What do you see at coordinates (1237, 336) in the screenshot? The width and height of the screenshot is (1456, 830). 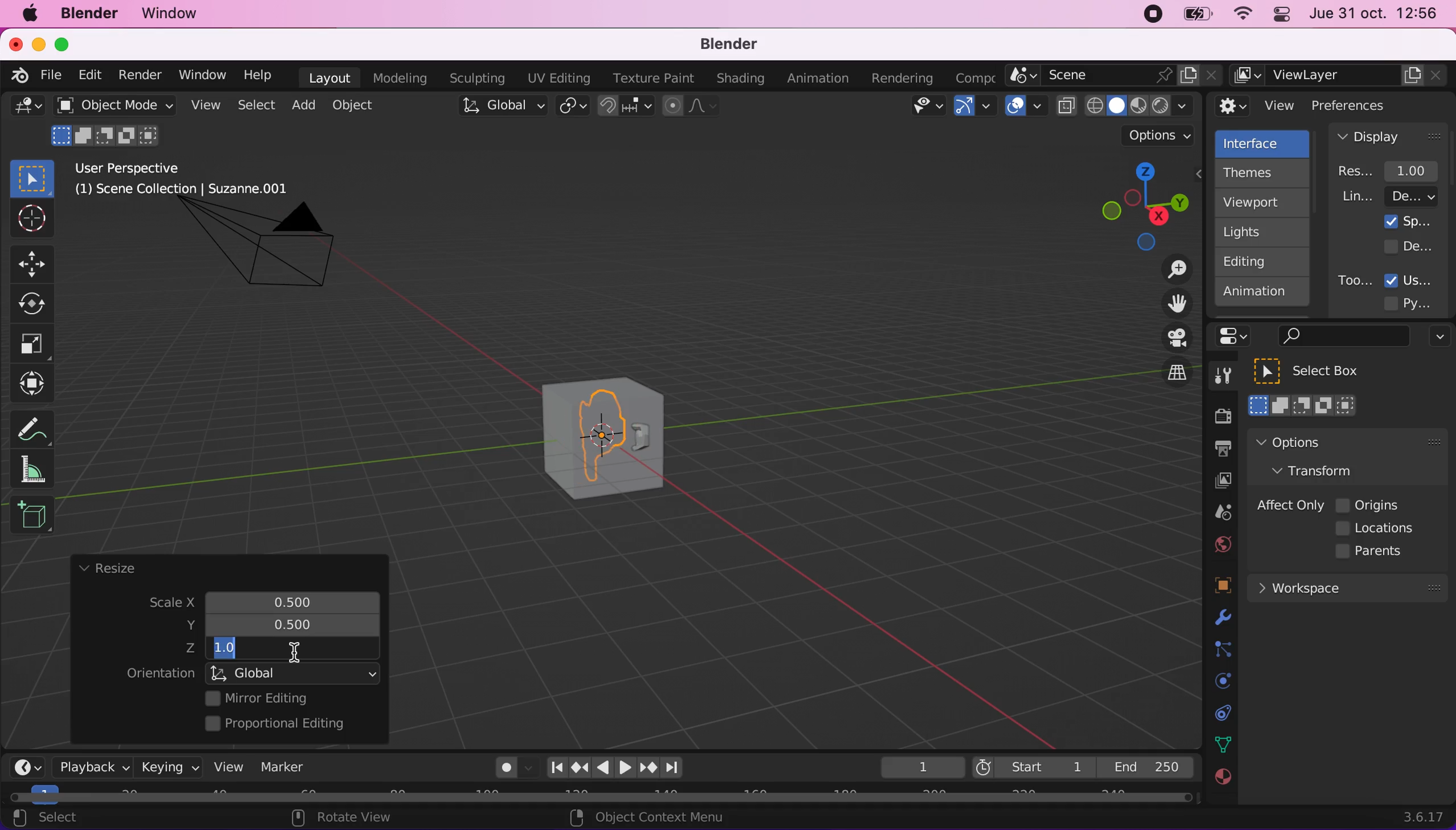 I see `panel control` at bounding box center [1237, 336].